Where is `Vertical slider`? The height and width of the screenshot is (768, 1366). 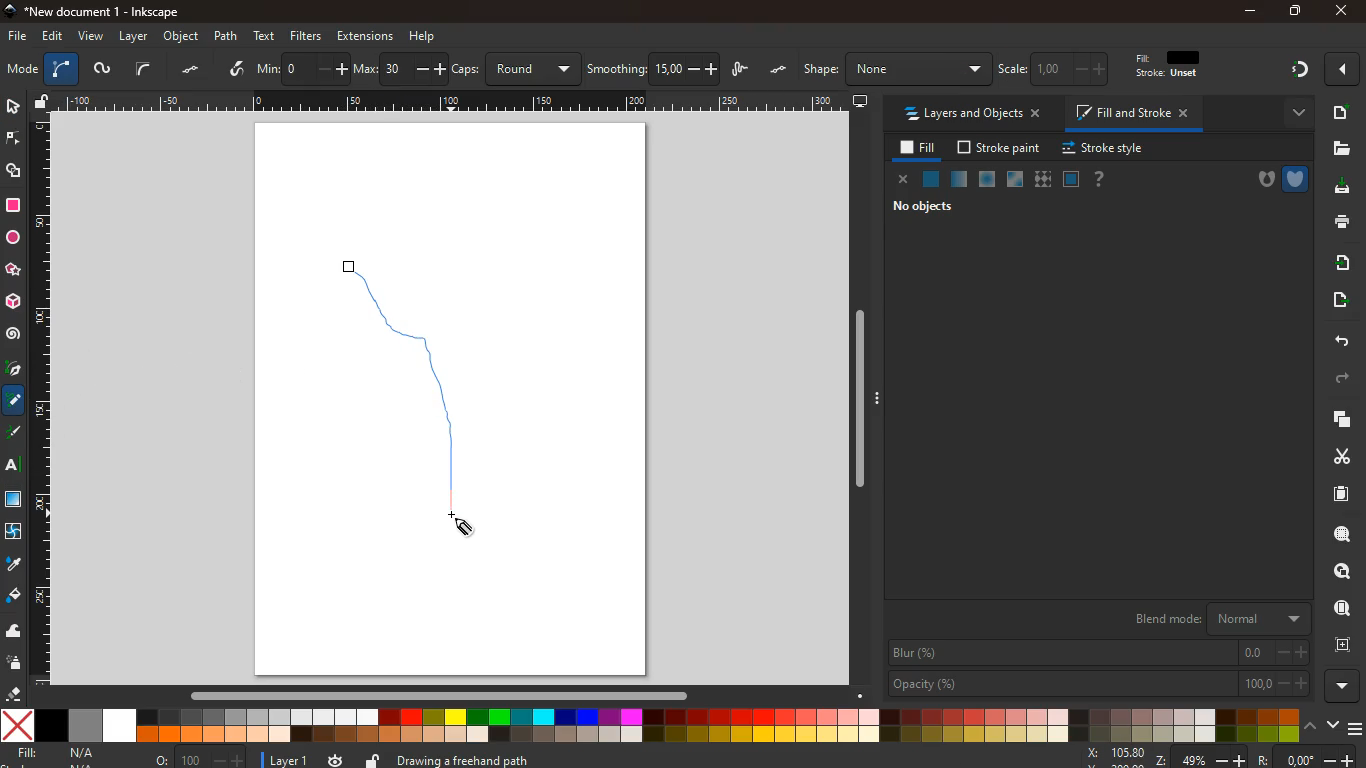 Vertical slider is located at coordinates (862, 399).